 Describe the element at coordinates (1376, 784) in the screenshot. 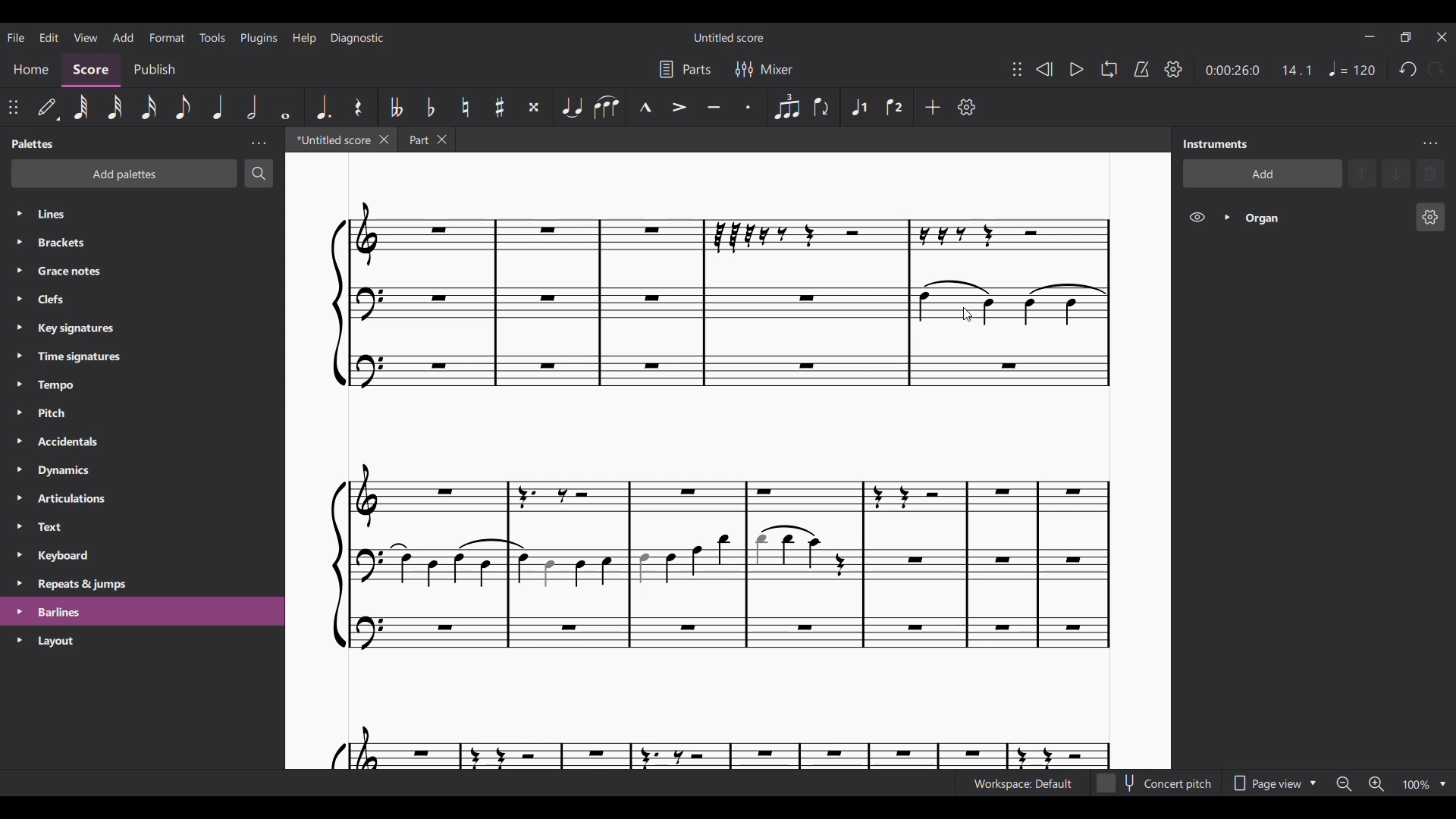

I see `Zoom in` at that location.